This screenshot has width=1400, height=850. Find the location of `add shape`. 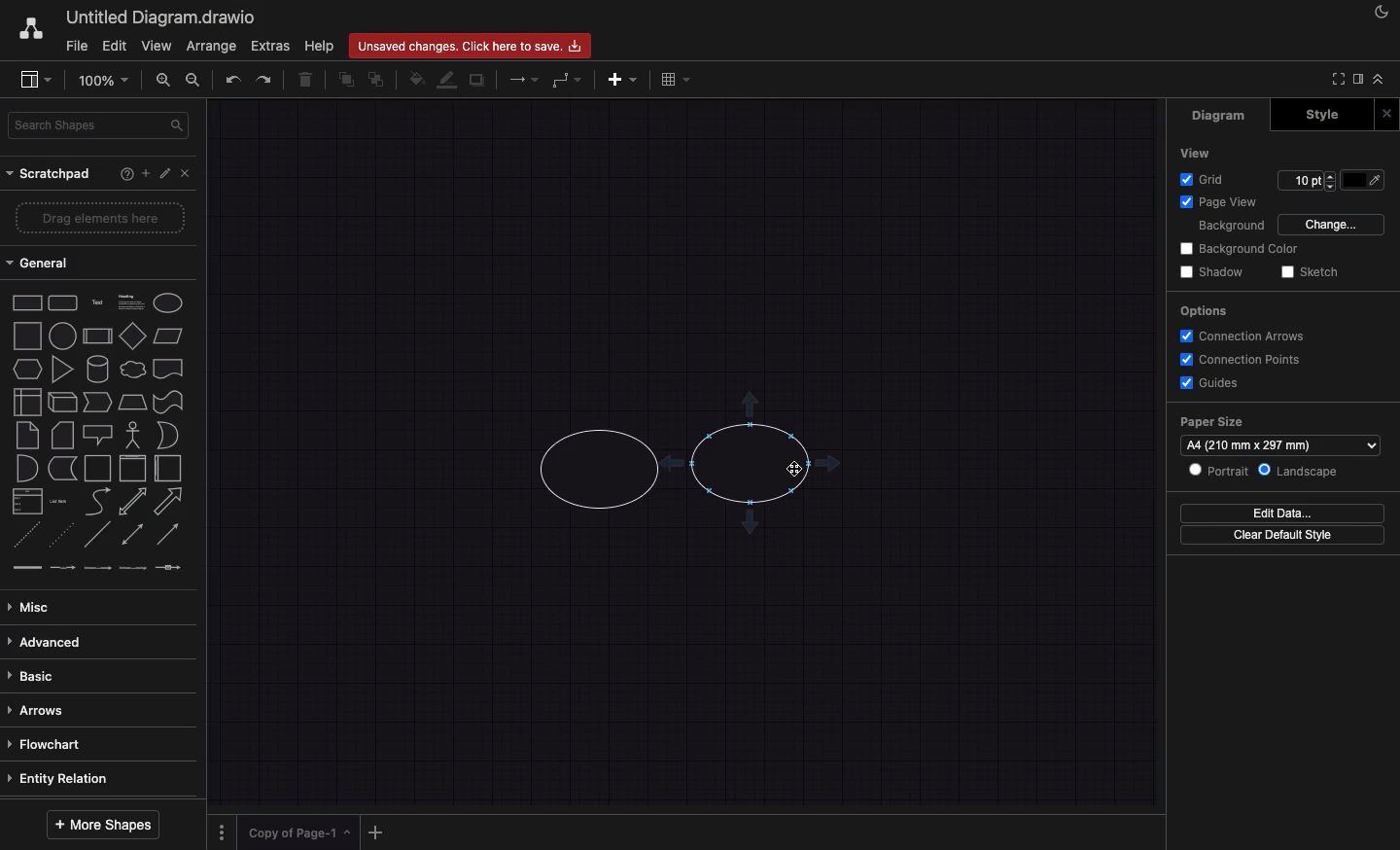

add shape is located at coordinates (752, 525).